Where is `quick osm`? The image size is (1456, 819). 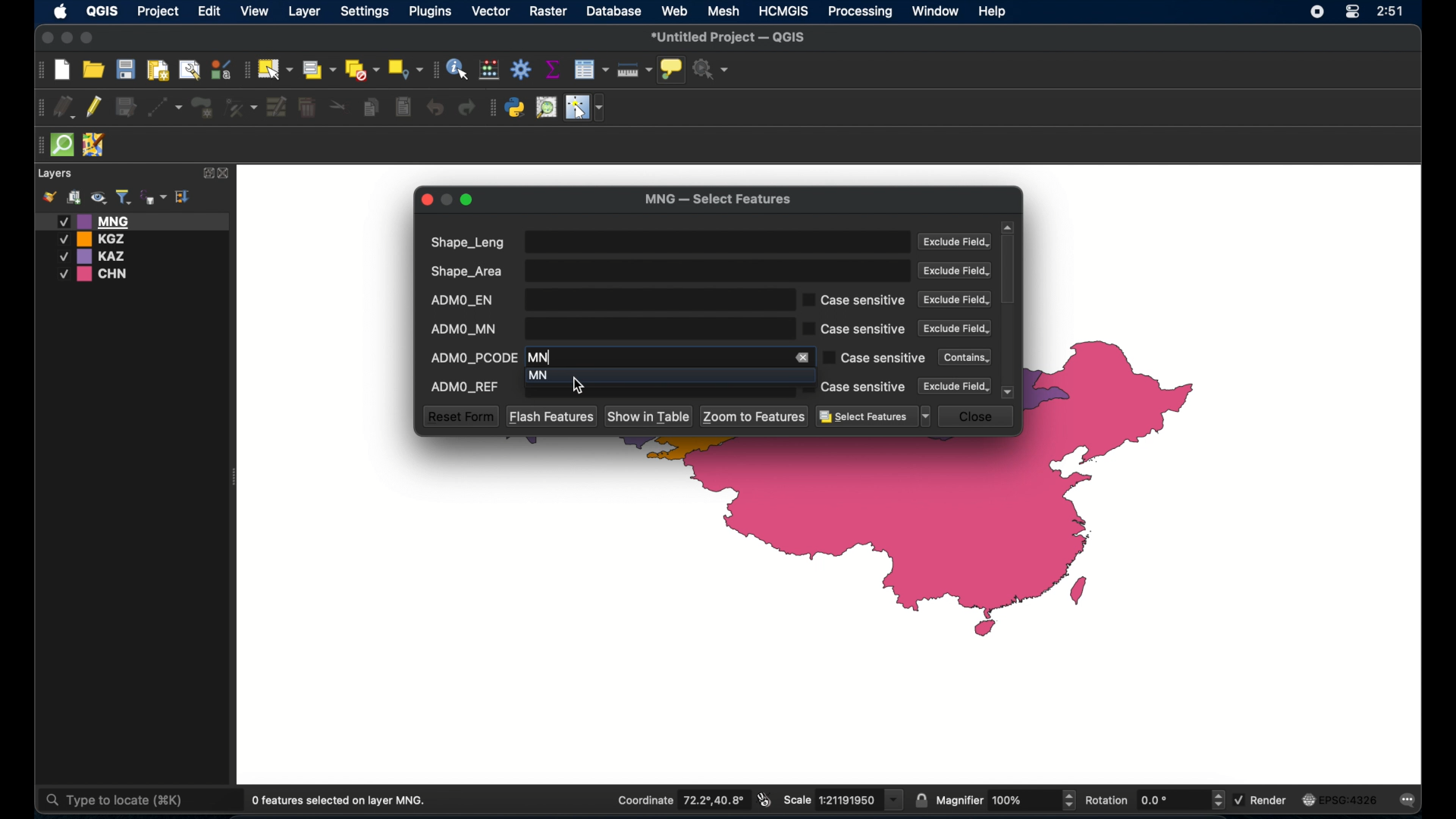
quick osm is located at coordinates (63, 146).